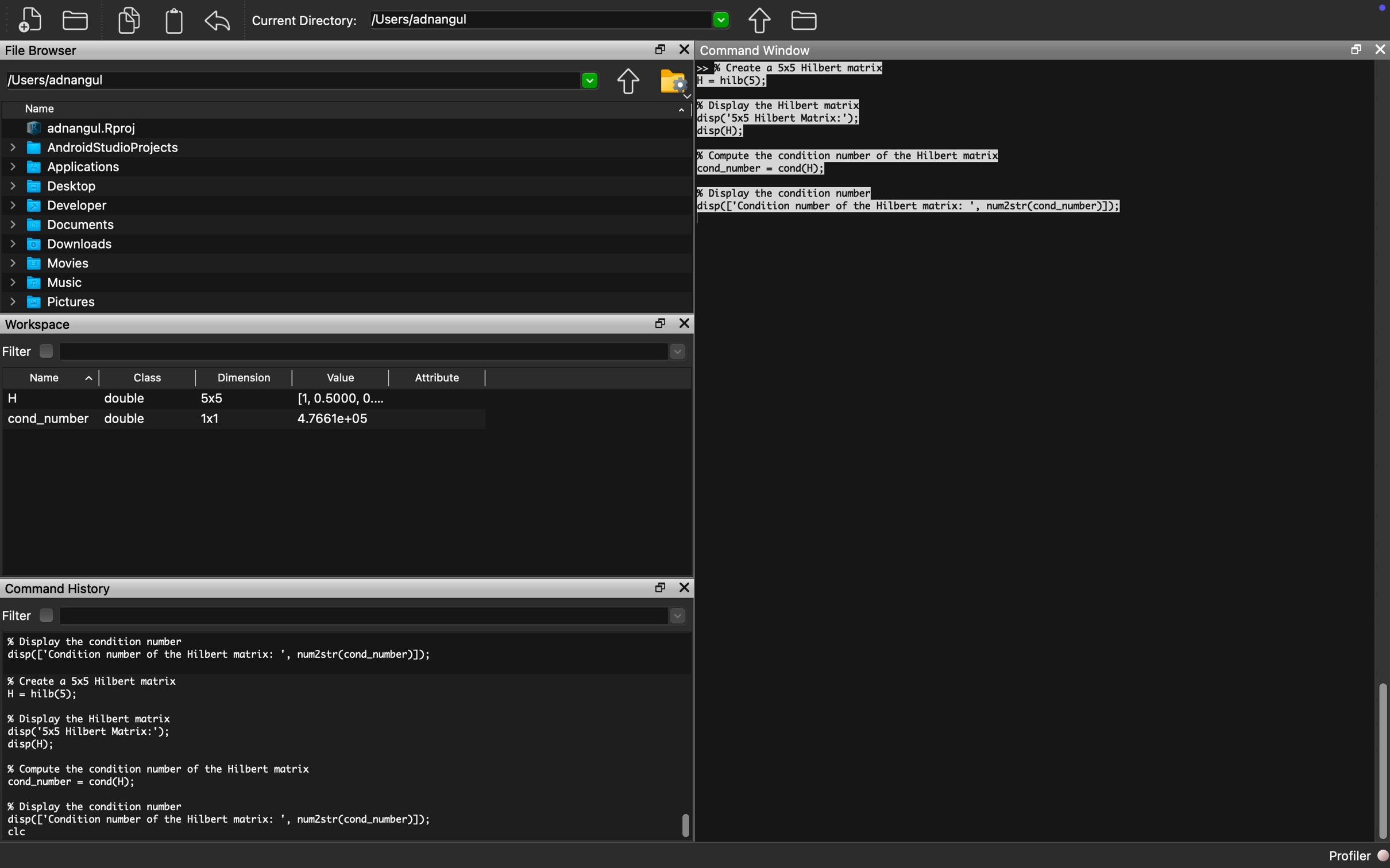  Describe the element at coordinates (804, 21) in the screenshot. I see `Folder` at that location.